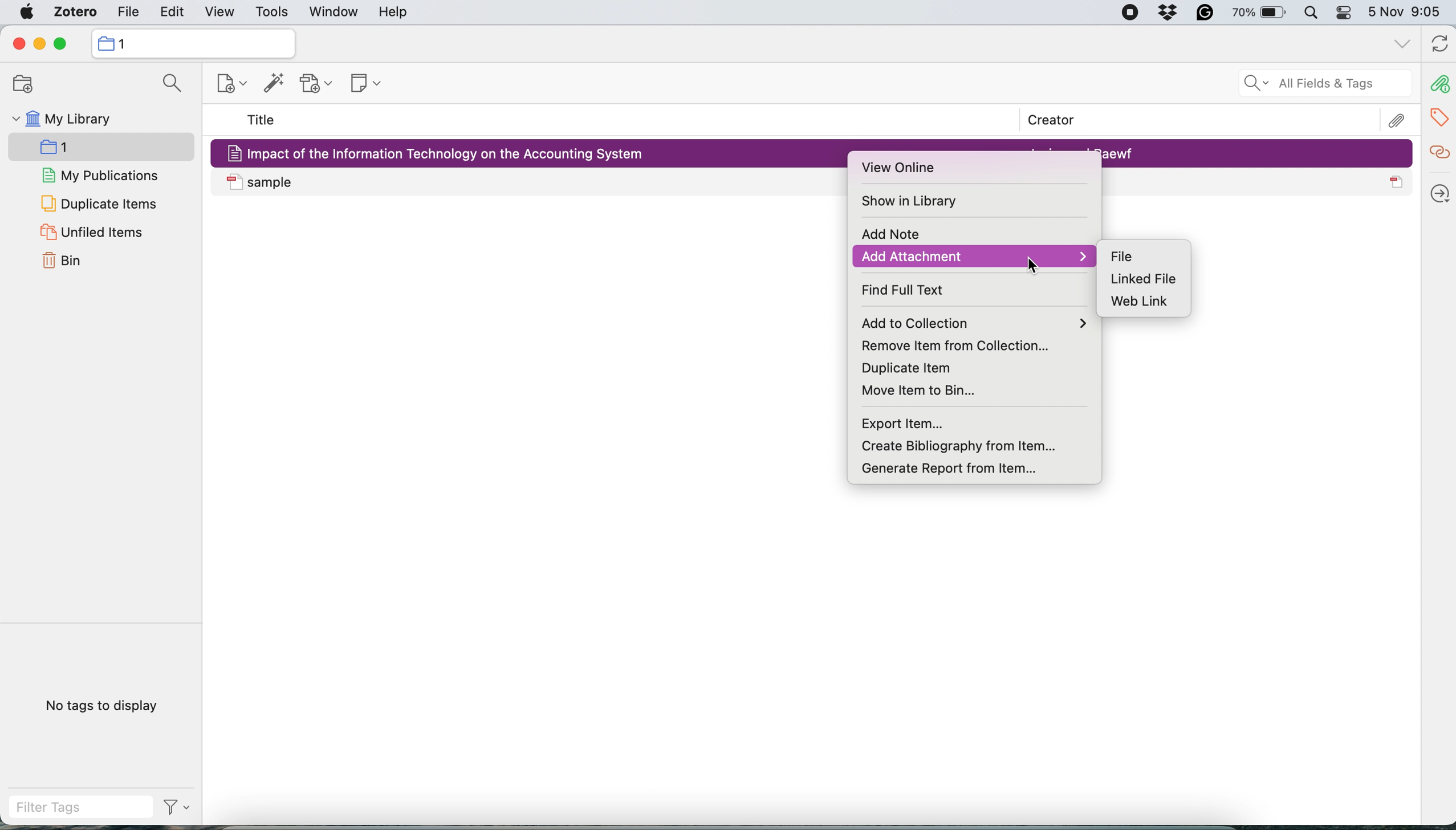  What do you see at coordinates (930, 389) in the screenshot?
I see `move item to bin` at bounding box center [930, 389].